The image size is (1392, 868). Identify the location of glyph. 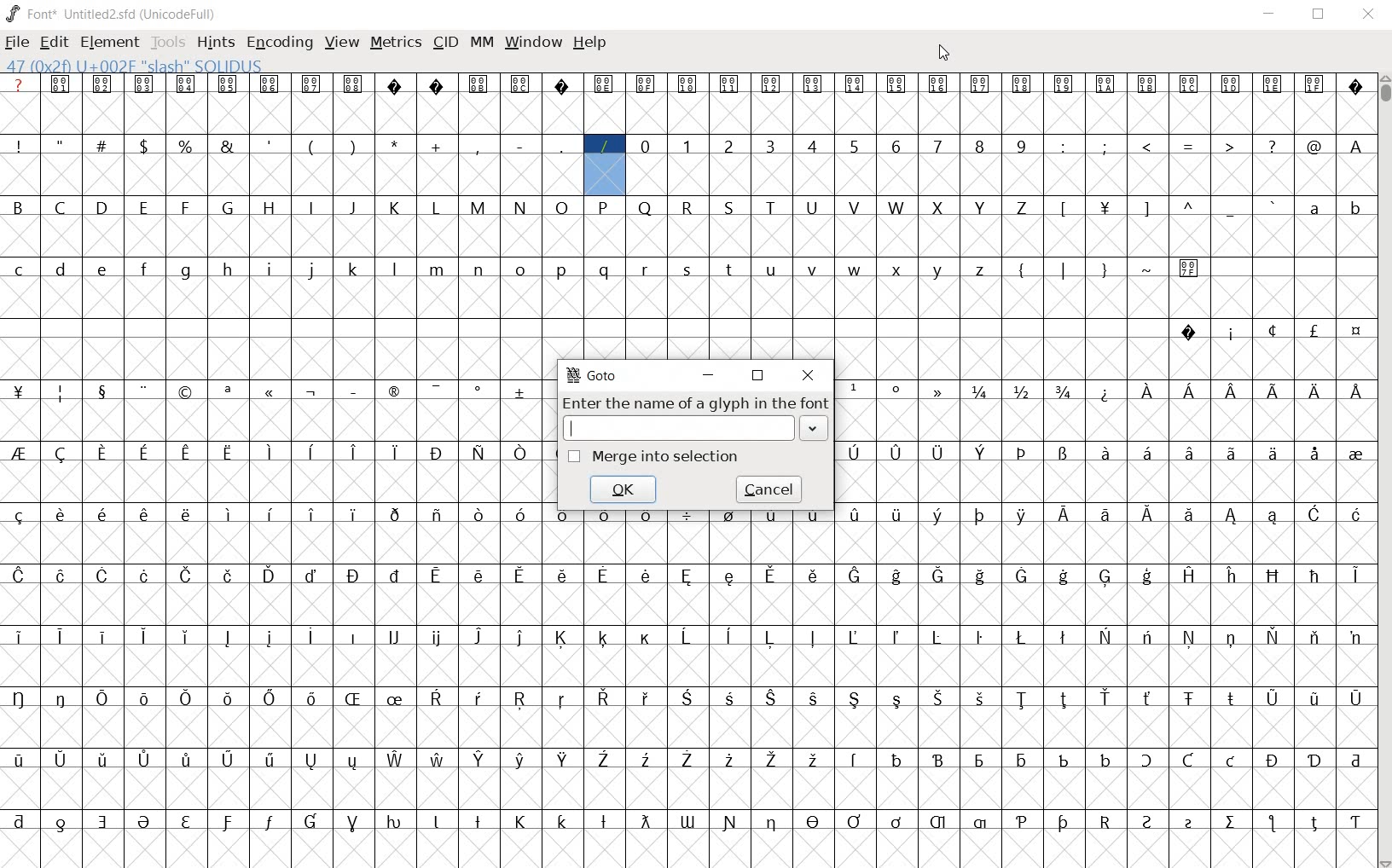
(1273, 453).